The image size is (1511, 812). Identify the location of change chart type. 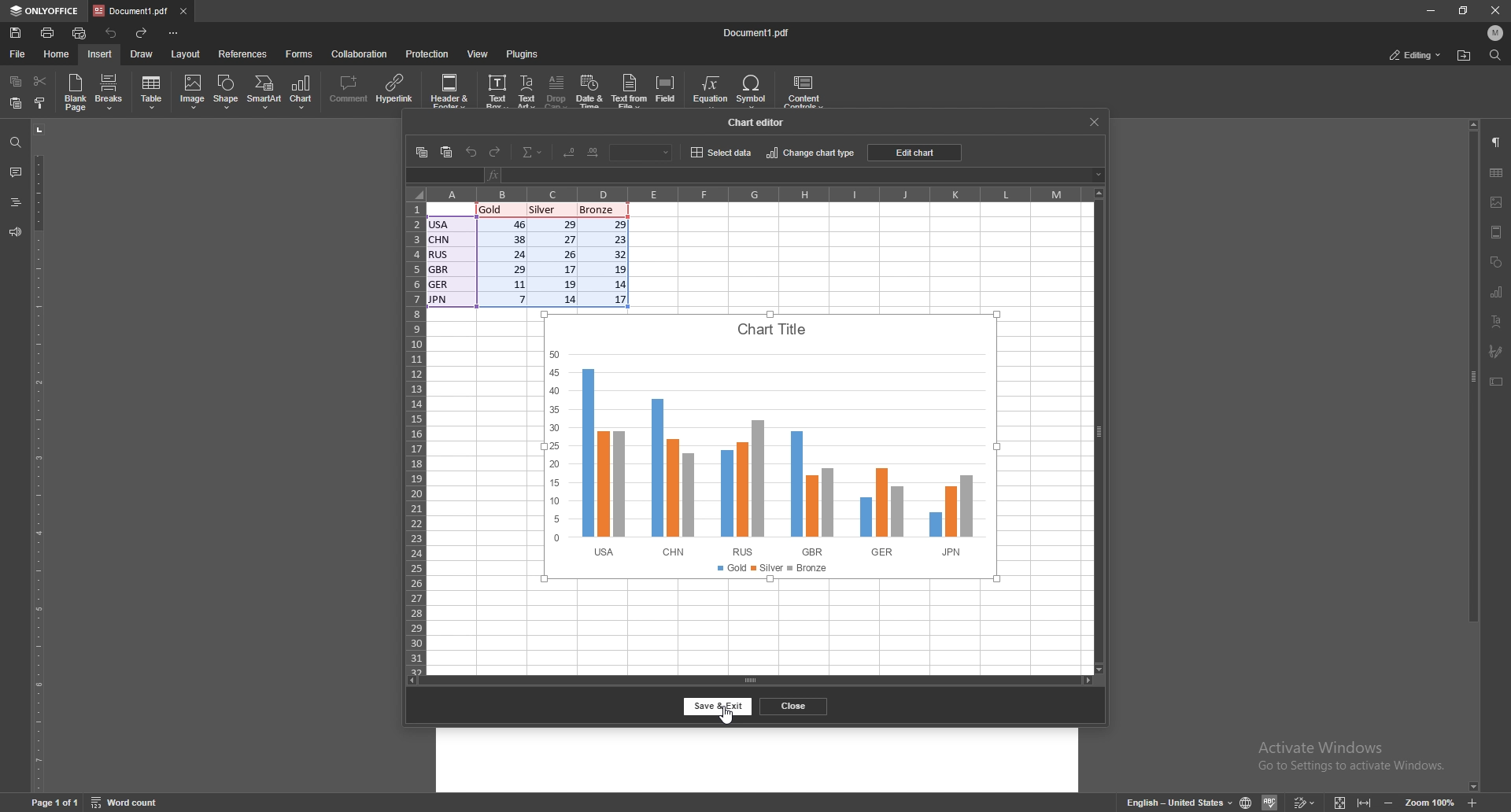
(810, 151).